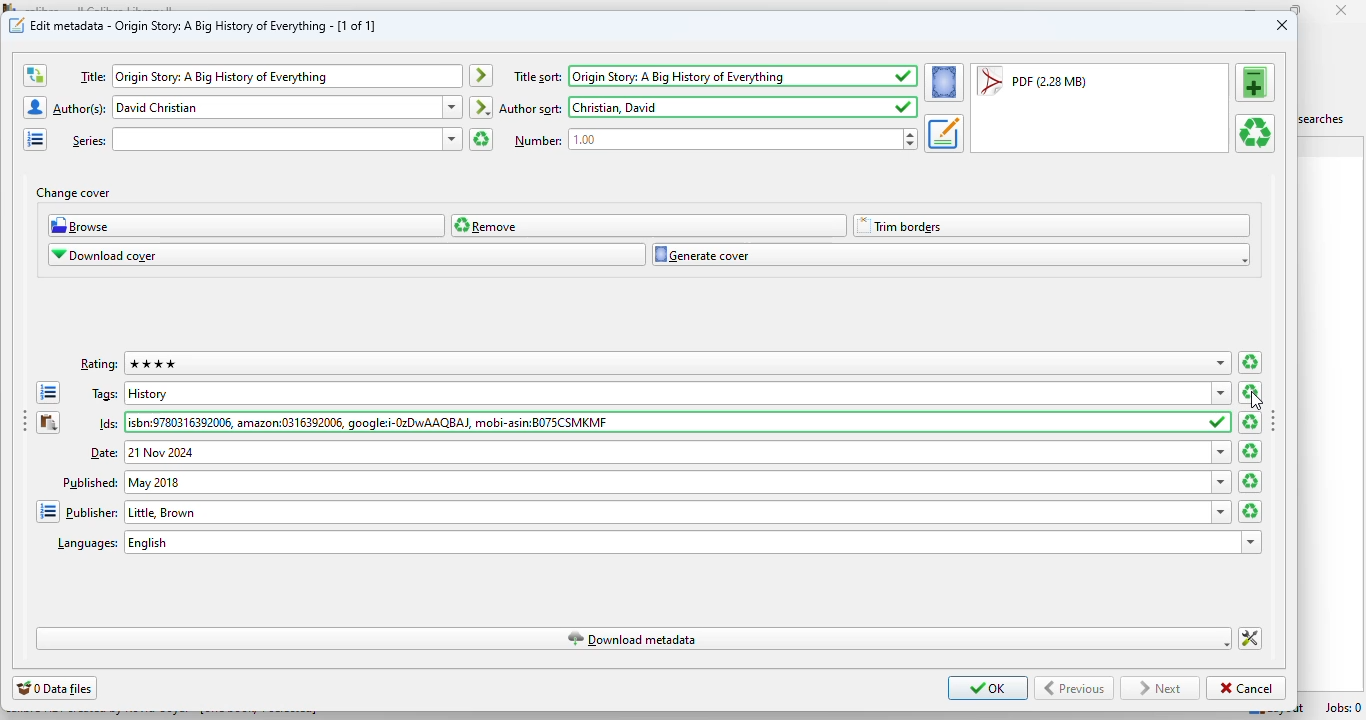 Image resolution: width=1366 pixels, height=720 pixels. Describe the element at coordinates (636, 638) in the screenshot. I see `download metadata` at that location.